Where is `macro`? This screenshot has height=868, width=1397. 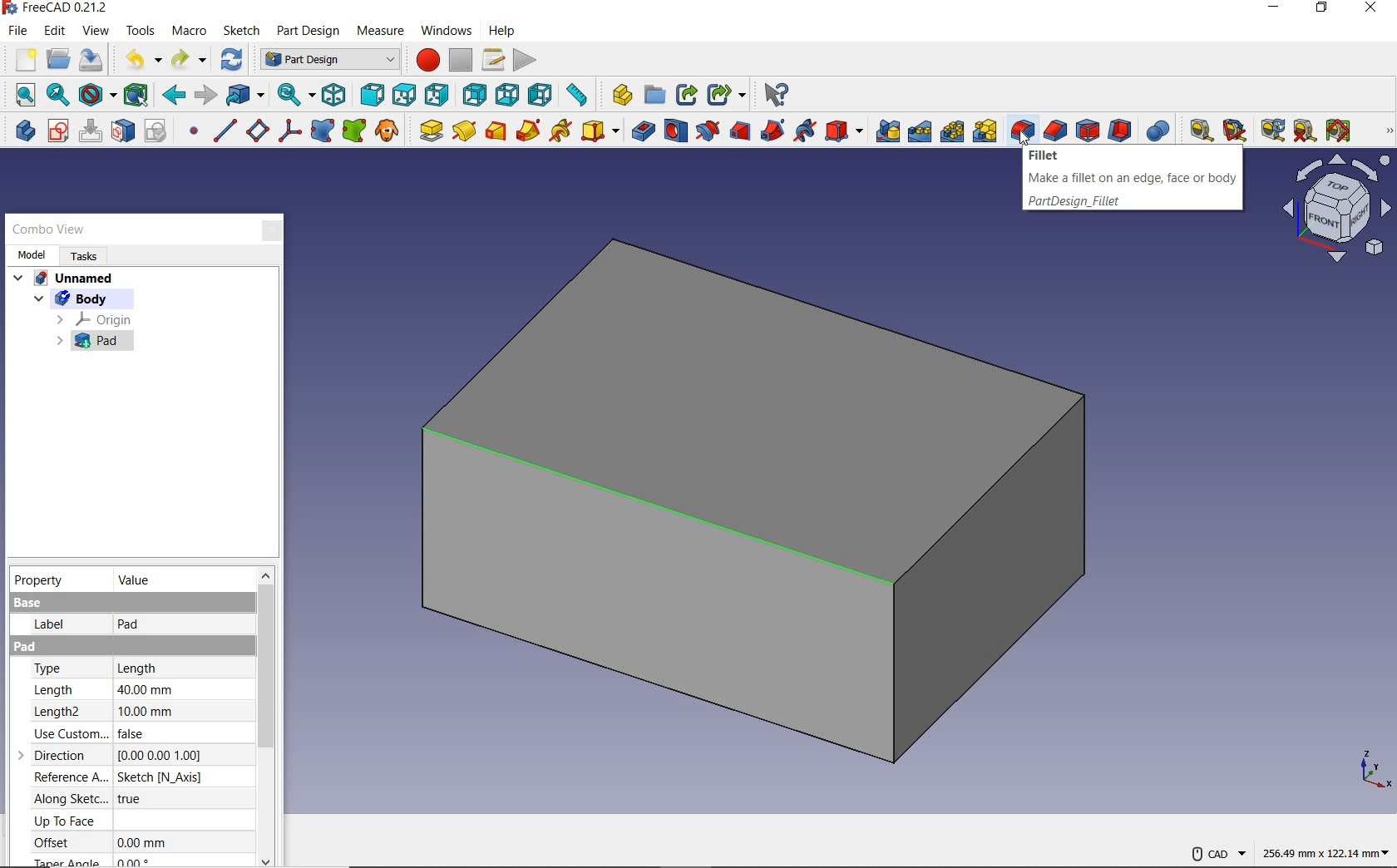
macro is located at coordinates (192, 32).